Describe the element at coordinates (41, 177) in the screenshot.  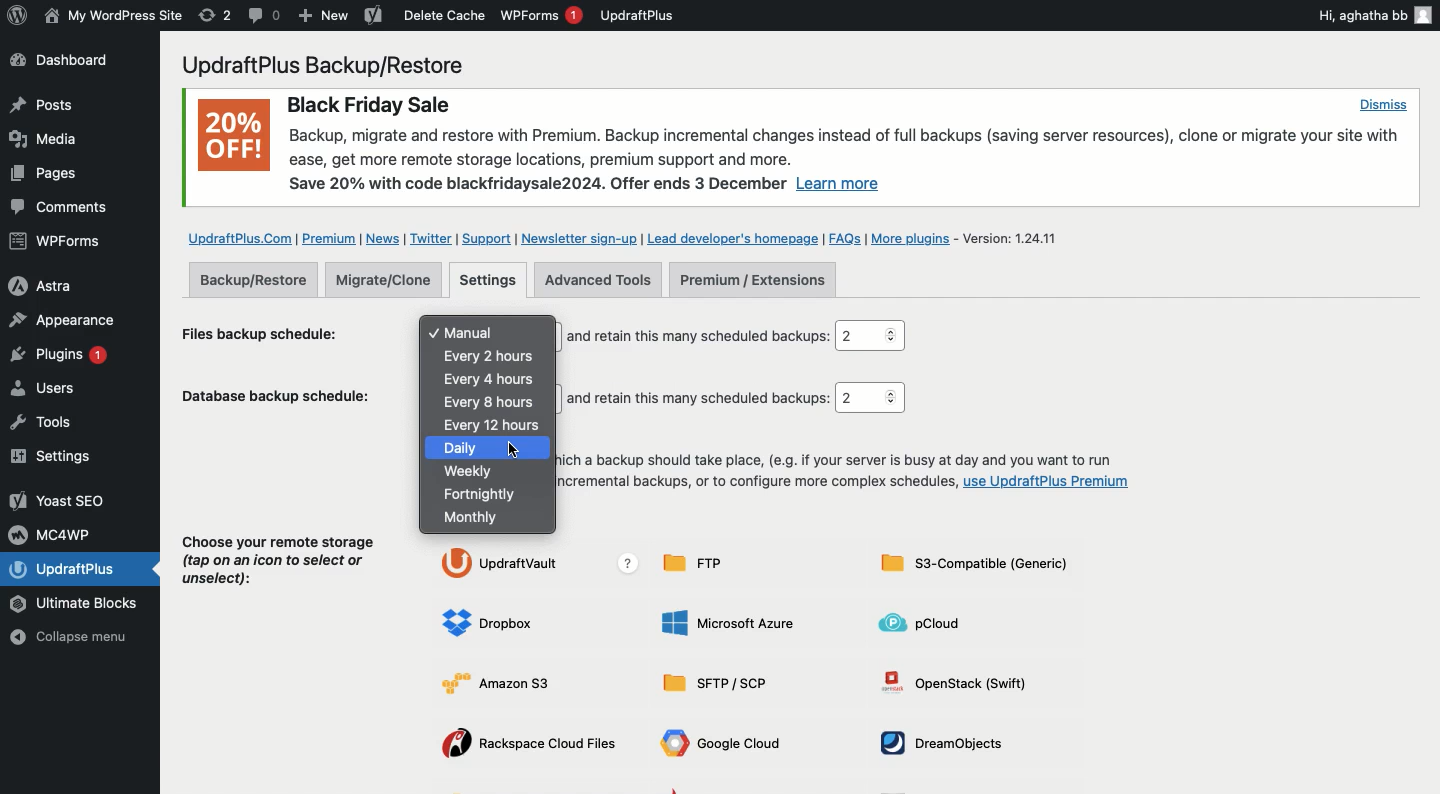
I see `Posts` at that location.